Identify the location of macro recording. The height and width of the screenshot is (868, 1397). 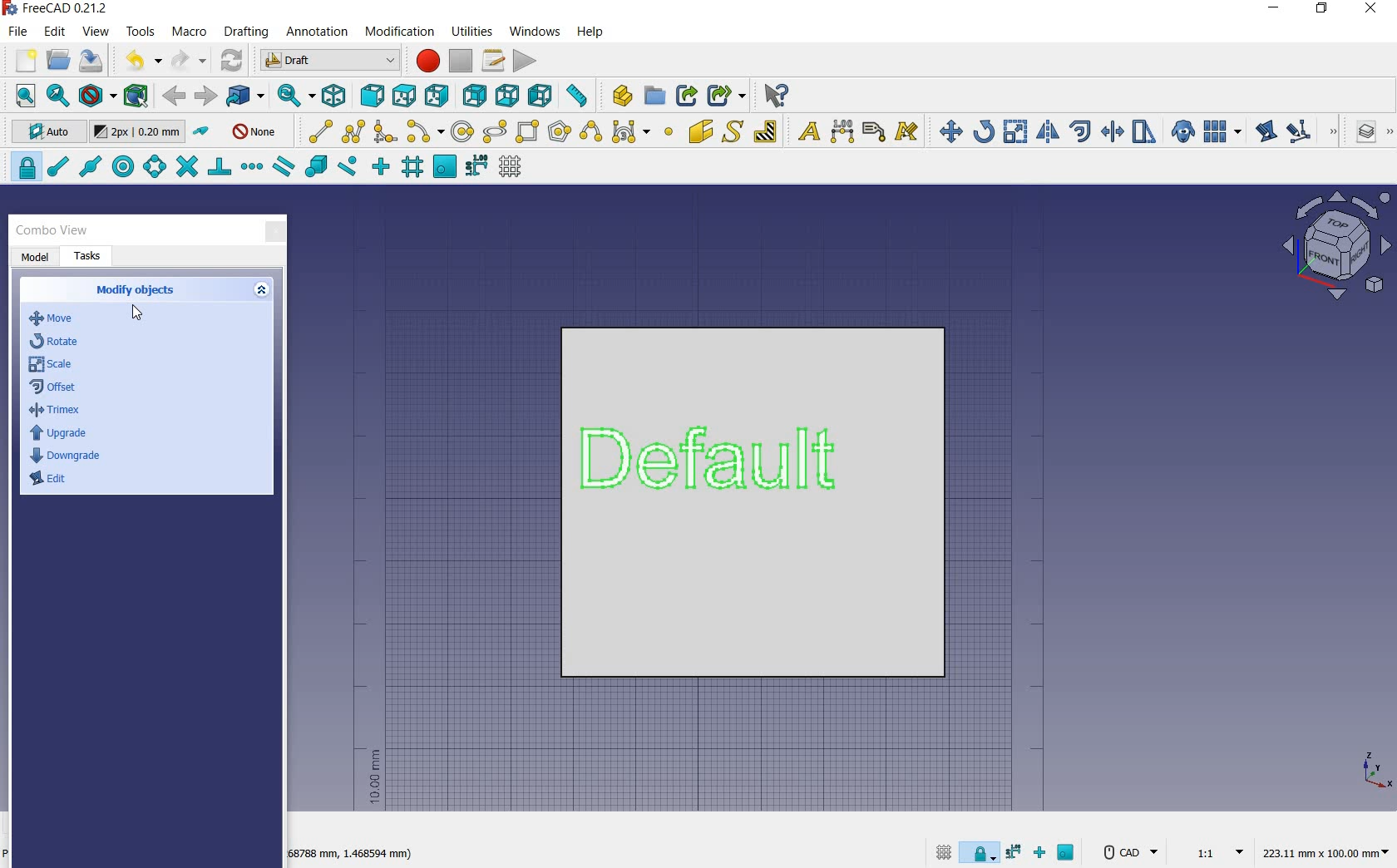
(426, 61).